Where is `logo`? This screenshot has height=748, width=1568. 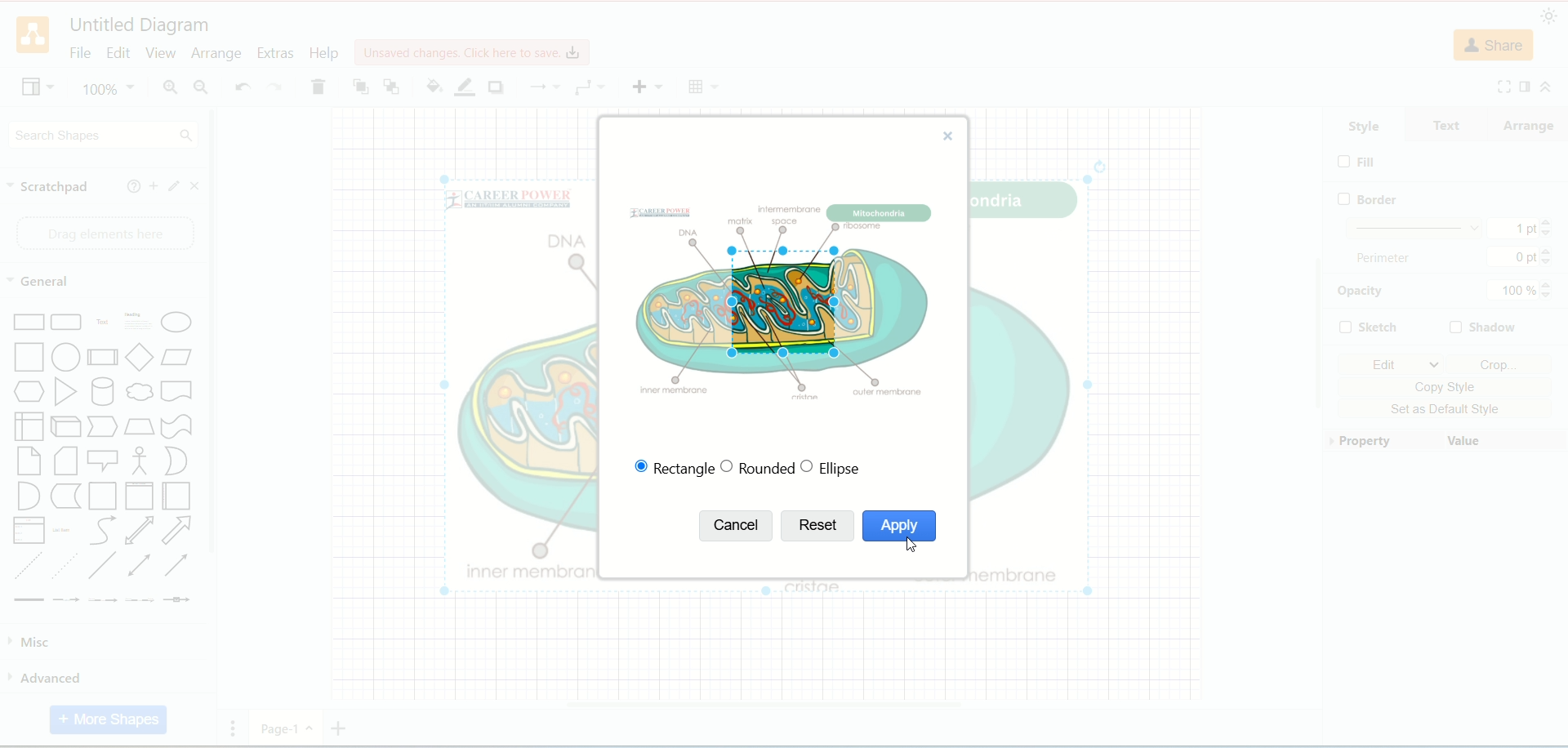
logo is located at coordinates (33, 36).